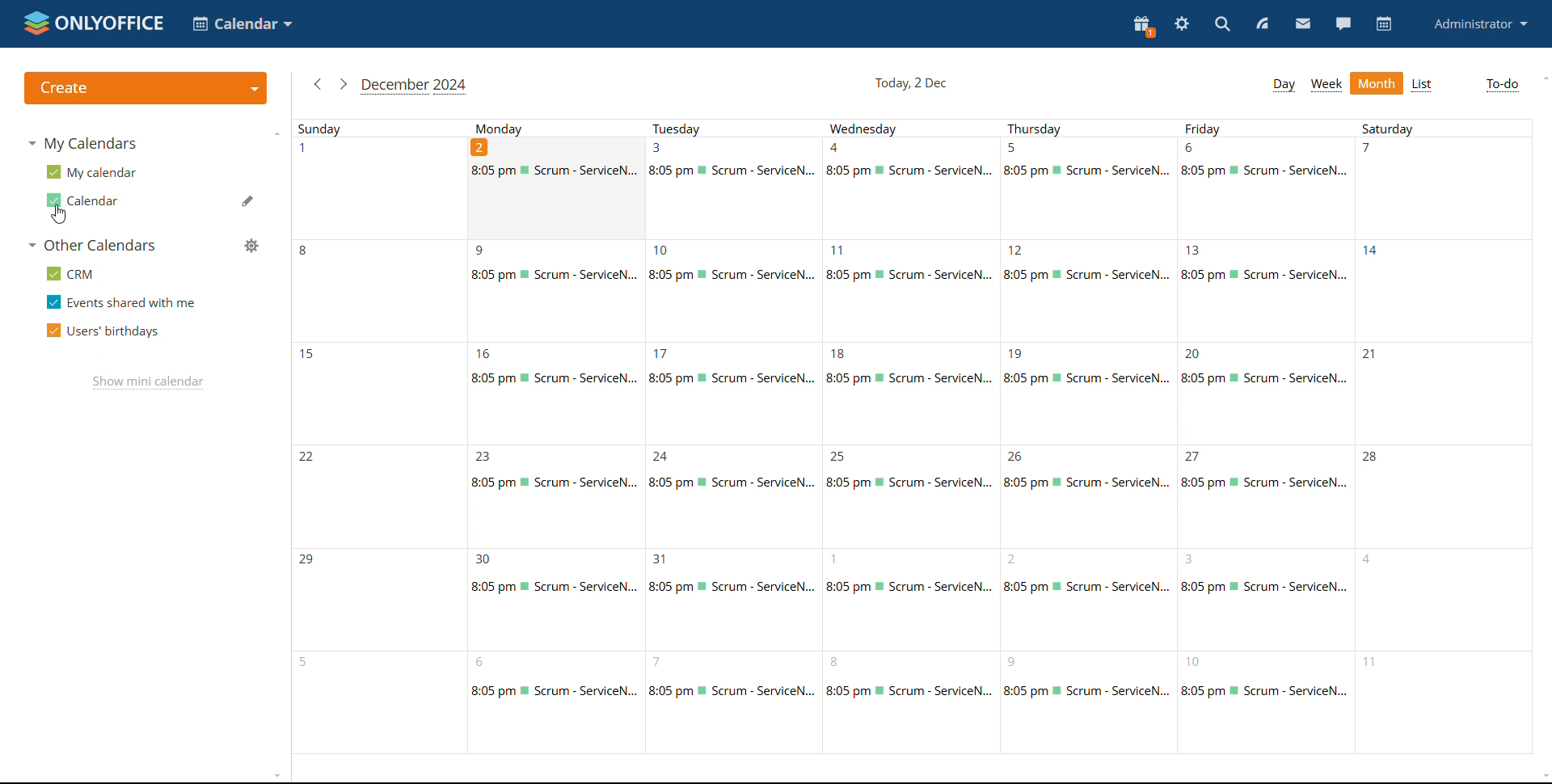 The image size is (1552, 784). Describe the element at coordinates (910, 598) in the screenshot. I see `1` at that location.